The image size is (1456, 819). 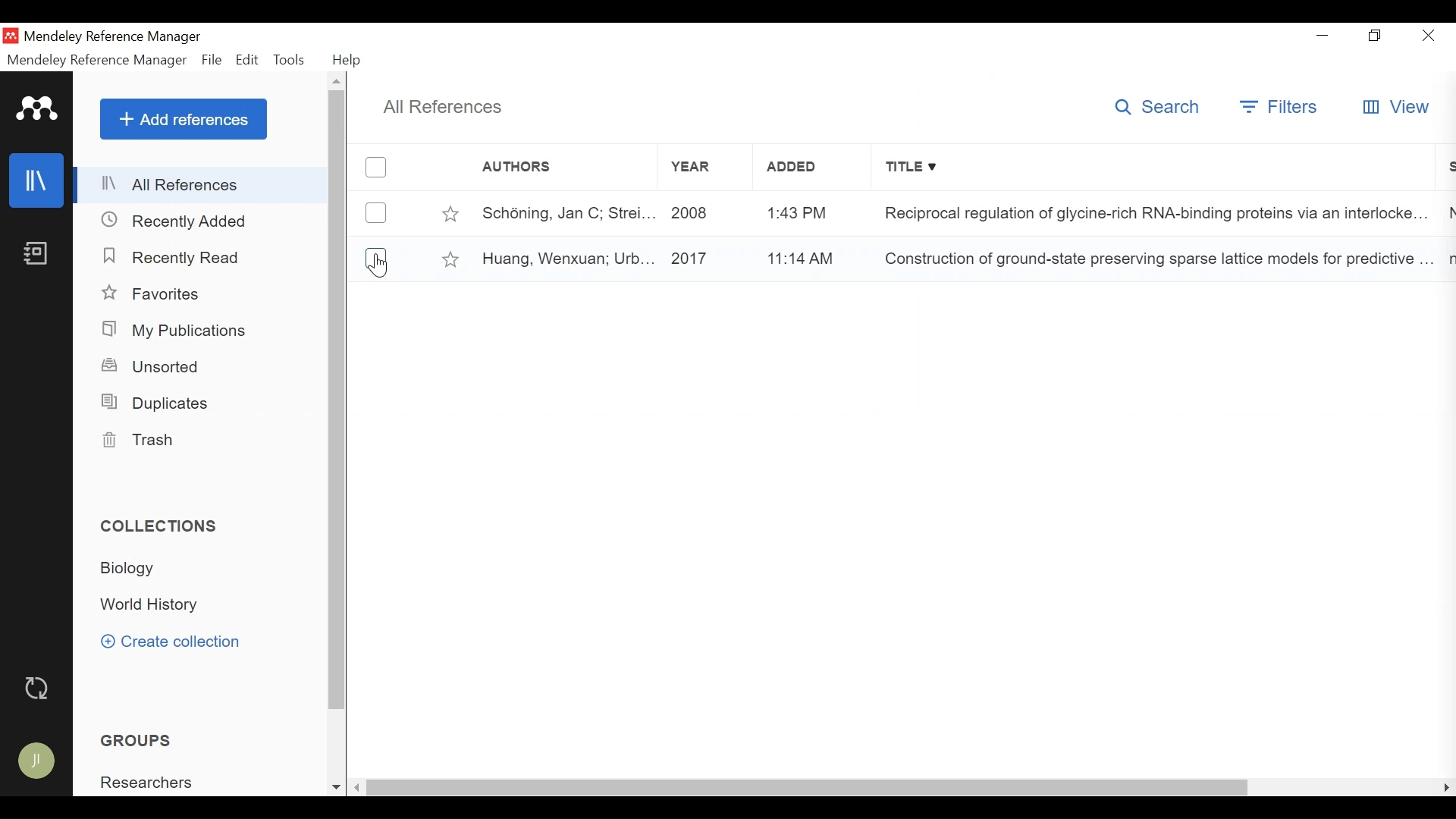 What do you see at coordinates (156, 293) in the screenshot?
I see `Favorites` at bounding box center [156, 293].